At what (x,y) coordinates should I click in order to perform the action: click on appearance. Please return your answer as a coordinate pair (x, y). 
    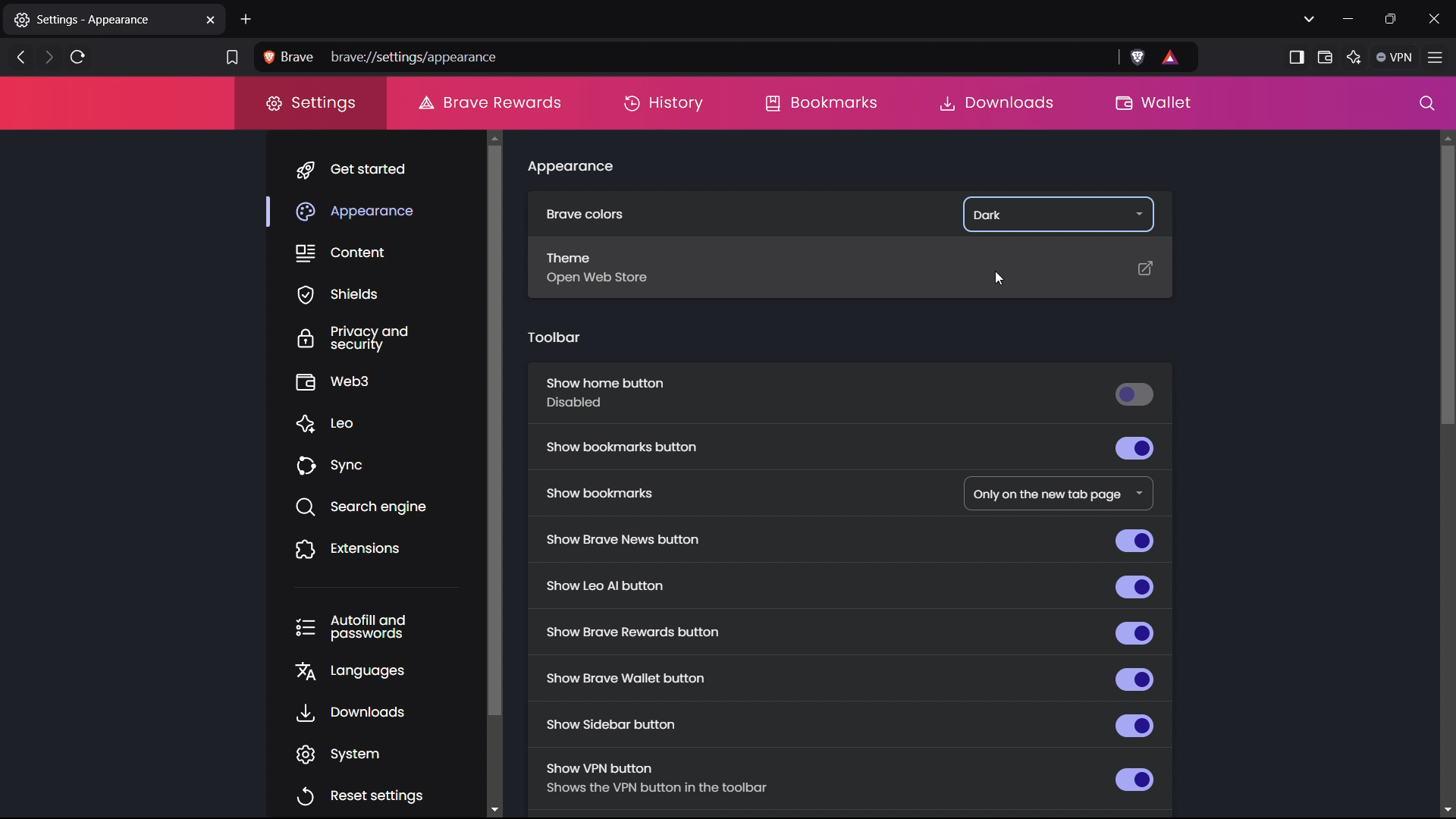
    Looking at the image, I should click on (571, 168).